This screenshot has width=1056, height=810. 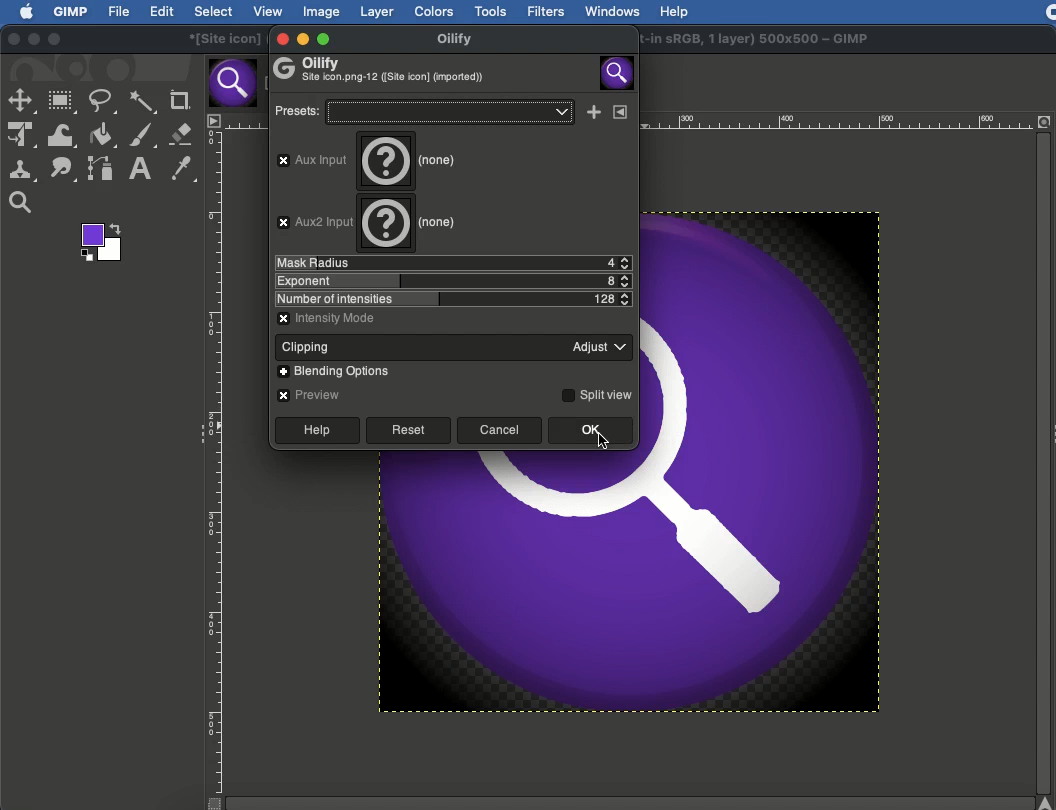 What do you see at coordinates (598, 393) in the screenshot?
I see `Split view` at bounding box center [598, 393].